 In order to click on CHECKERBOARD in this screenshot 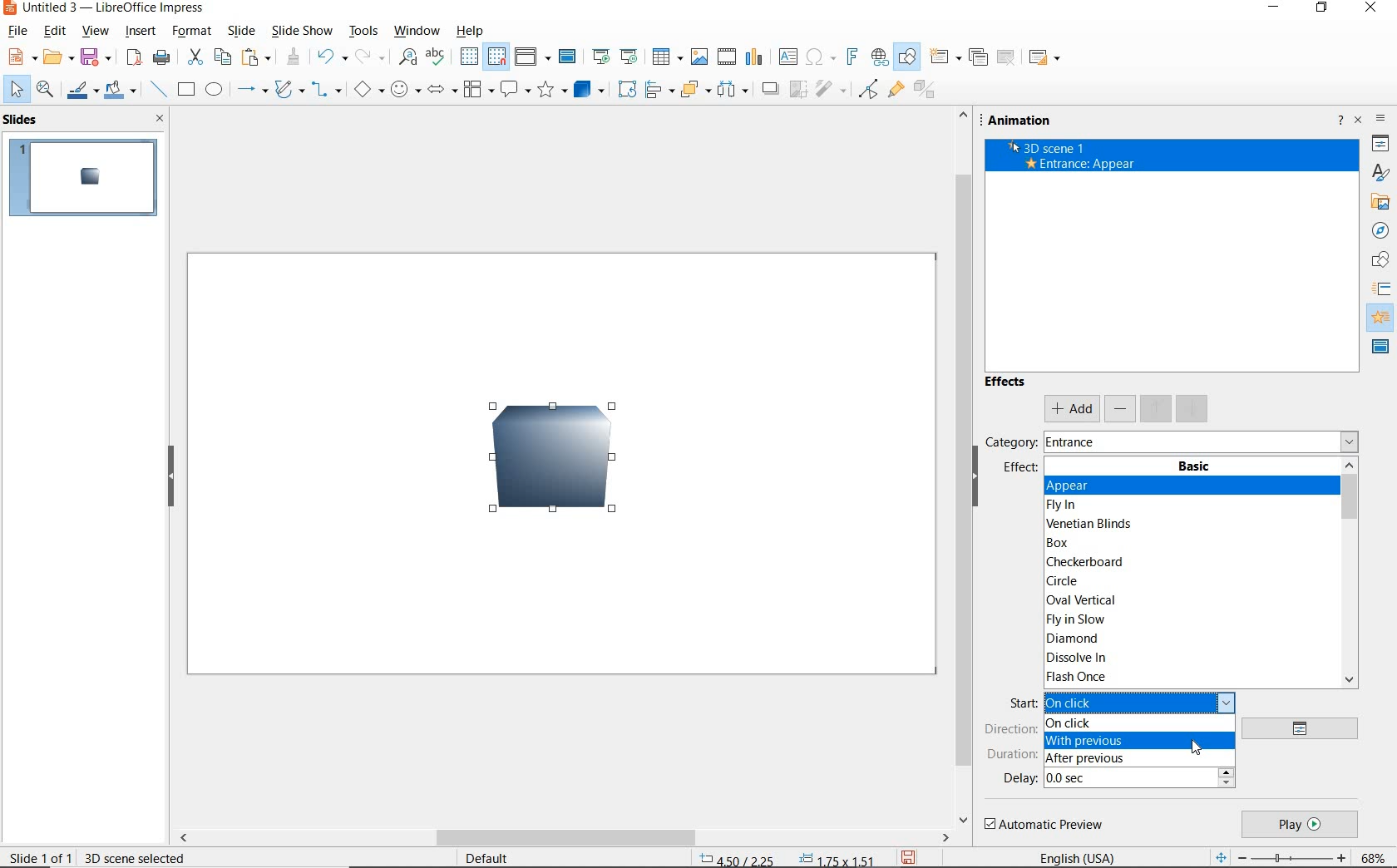, I will do `click(1088, 563)`.